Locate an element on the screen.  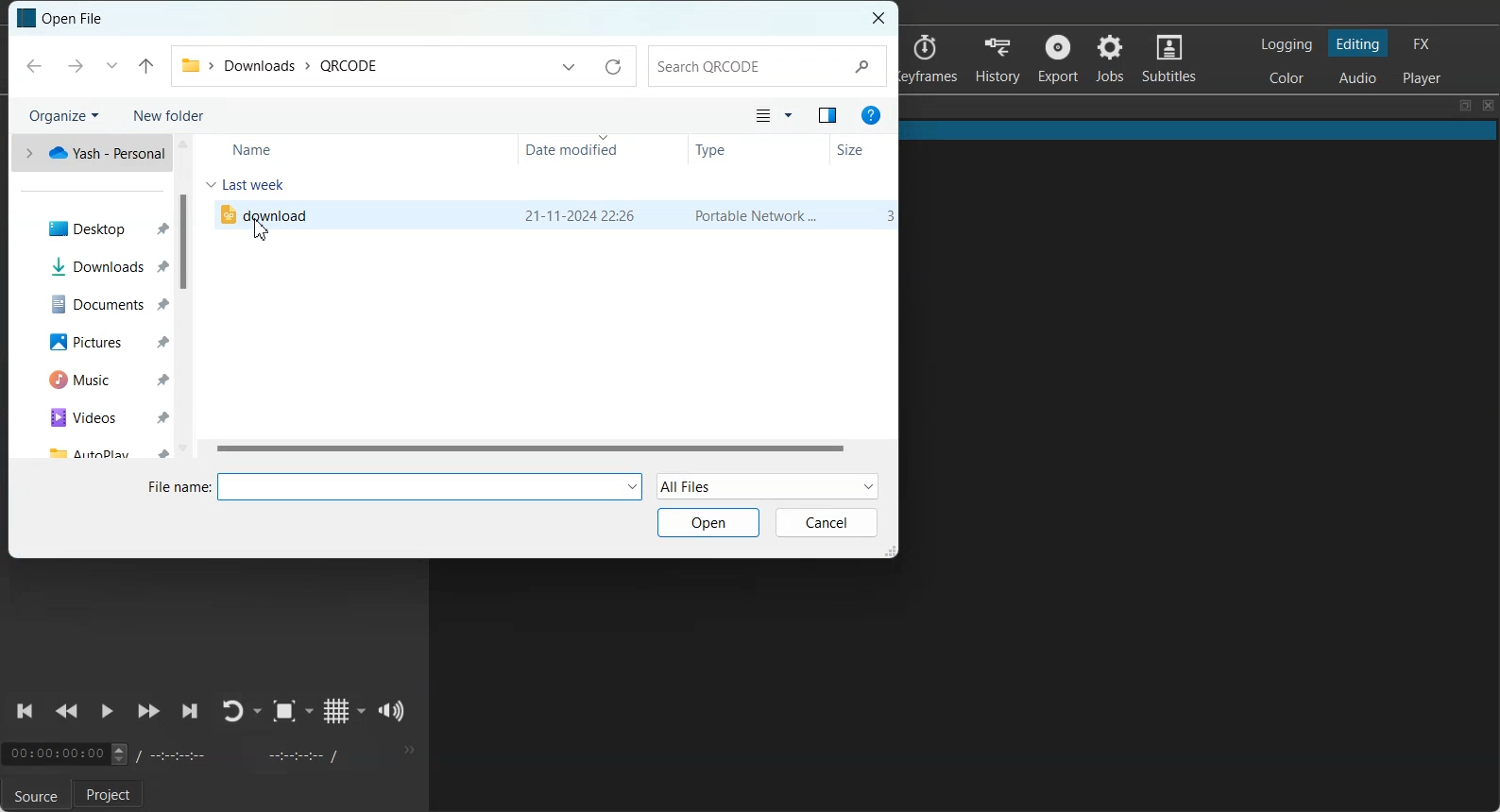
Drop down box is located at coordinates (362, 710).